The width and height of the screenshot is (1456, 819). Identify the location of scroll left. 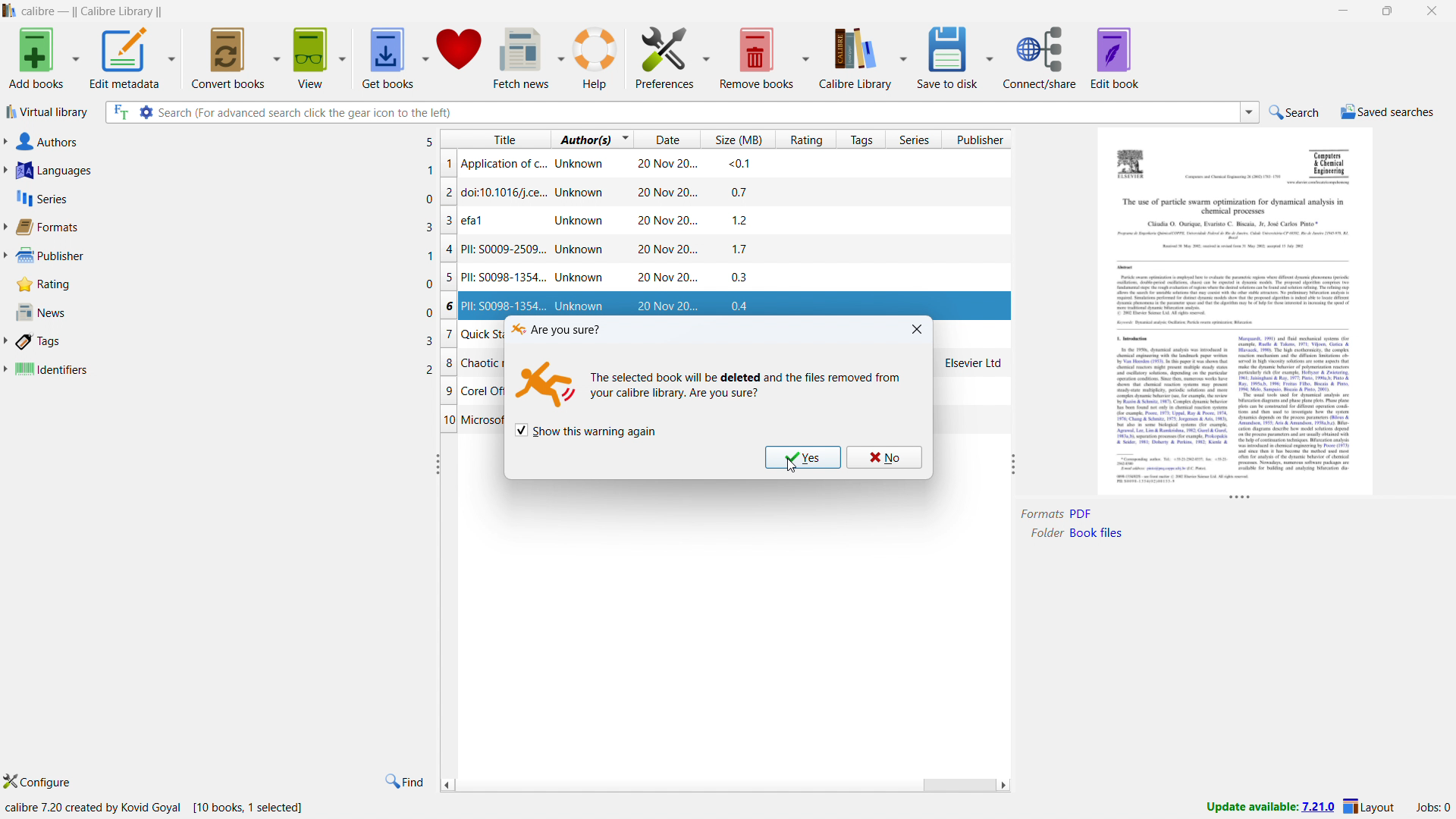
(446, 784).